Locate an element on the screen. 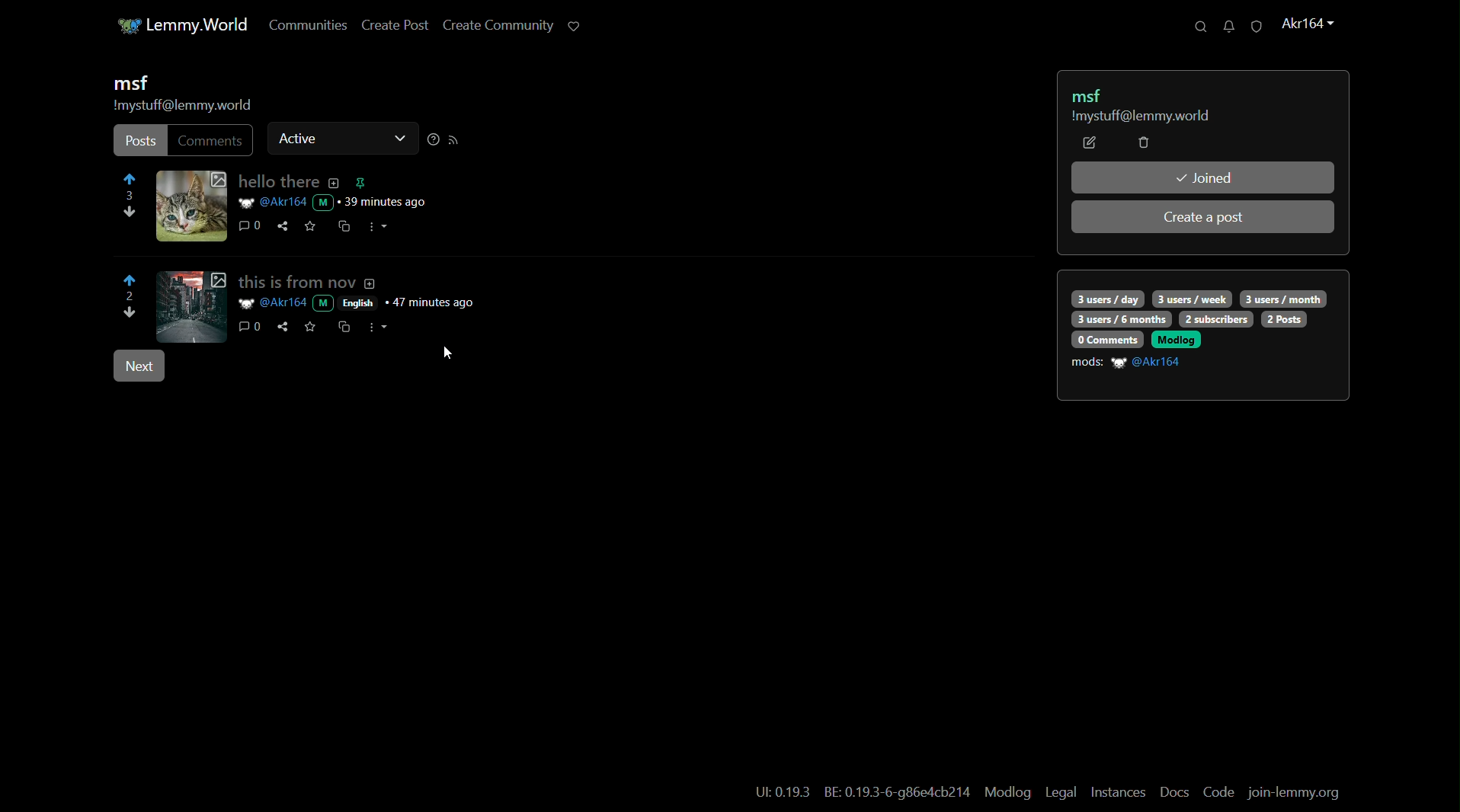  username is located at coordinates (1149, 363).